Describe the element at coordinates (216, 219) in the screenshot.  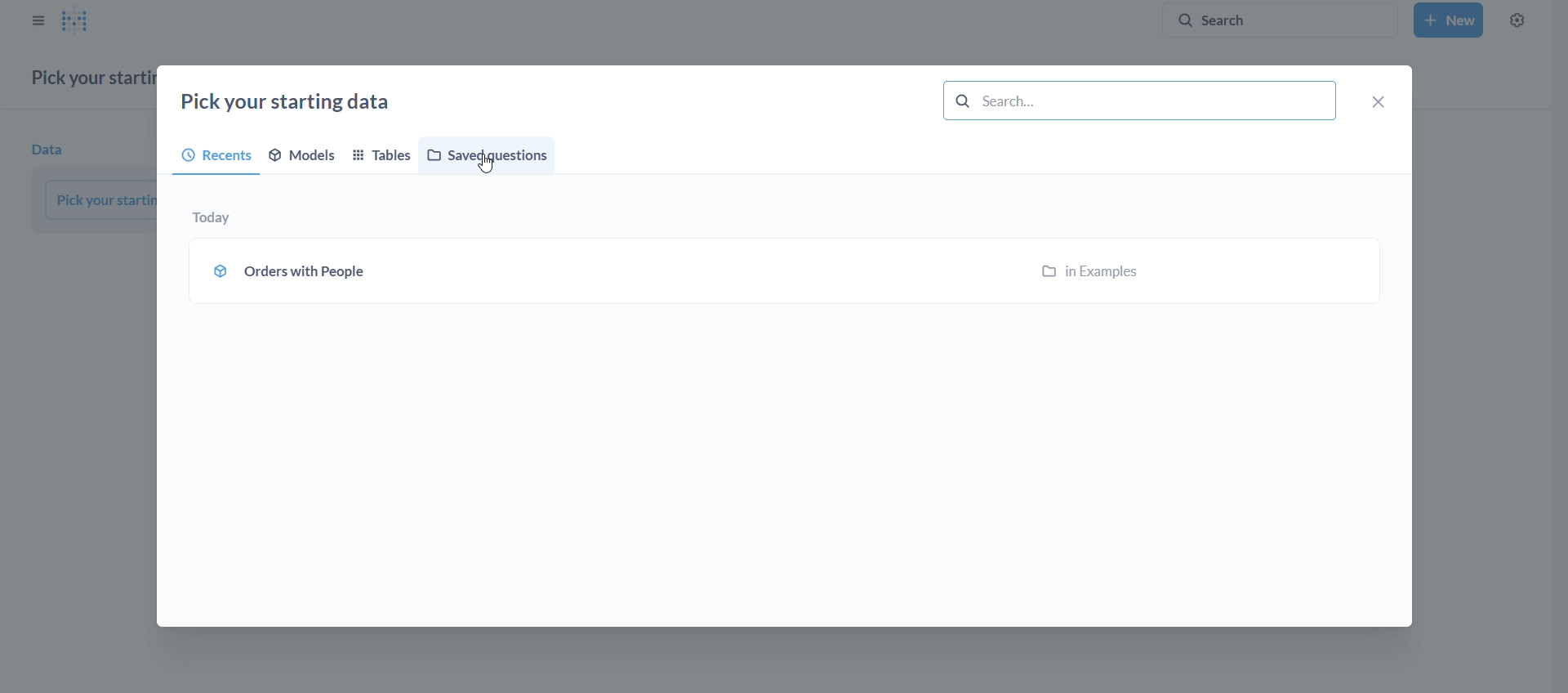
I see `today` at that location.